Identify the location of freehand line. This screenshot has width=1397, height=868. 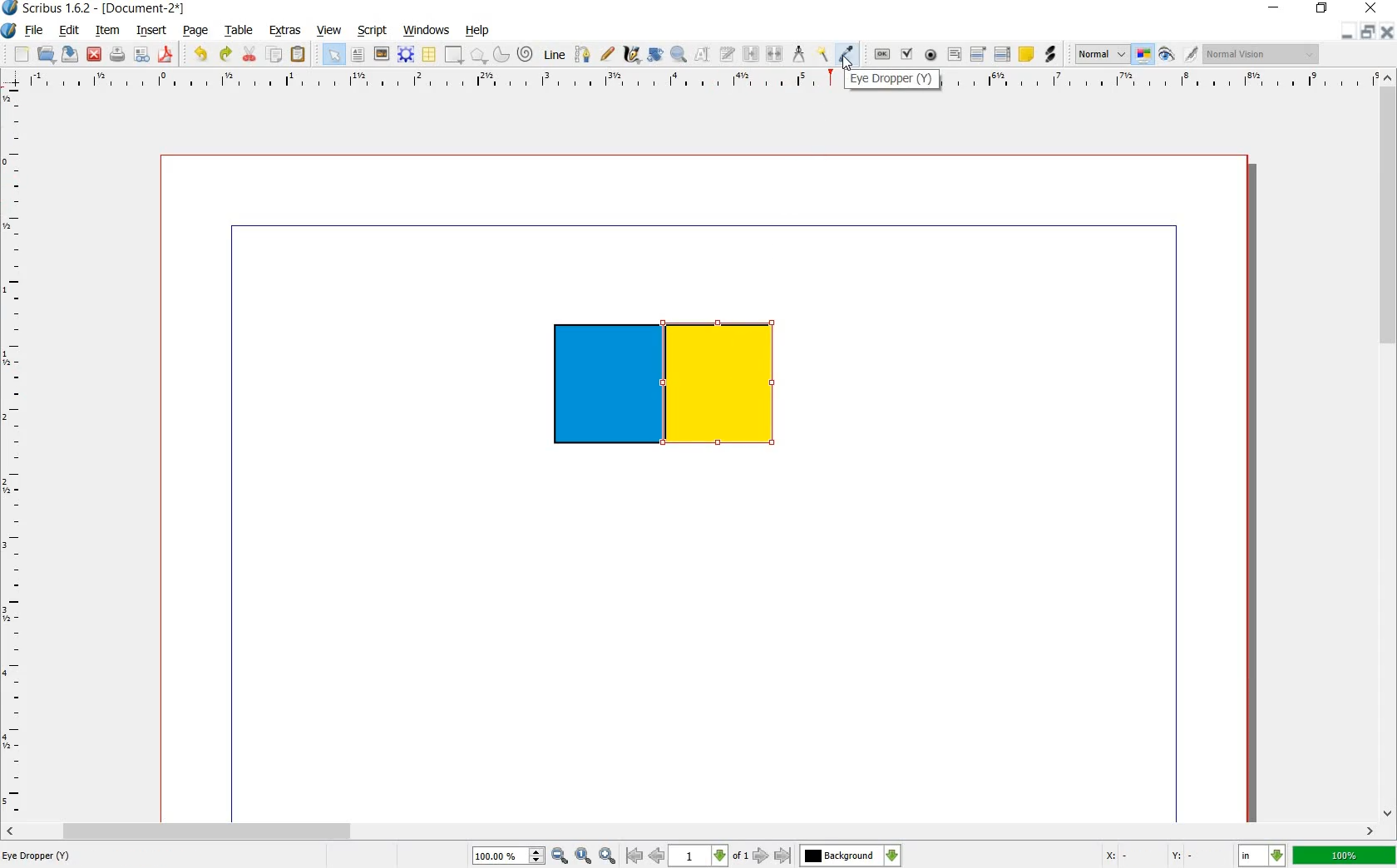
(608, 52).